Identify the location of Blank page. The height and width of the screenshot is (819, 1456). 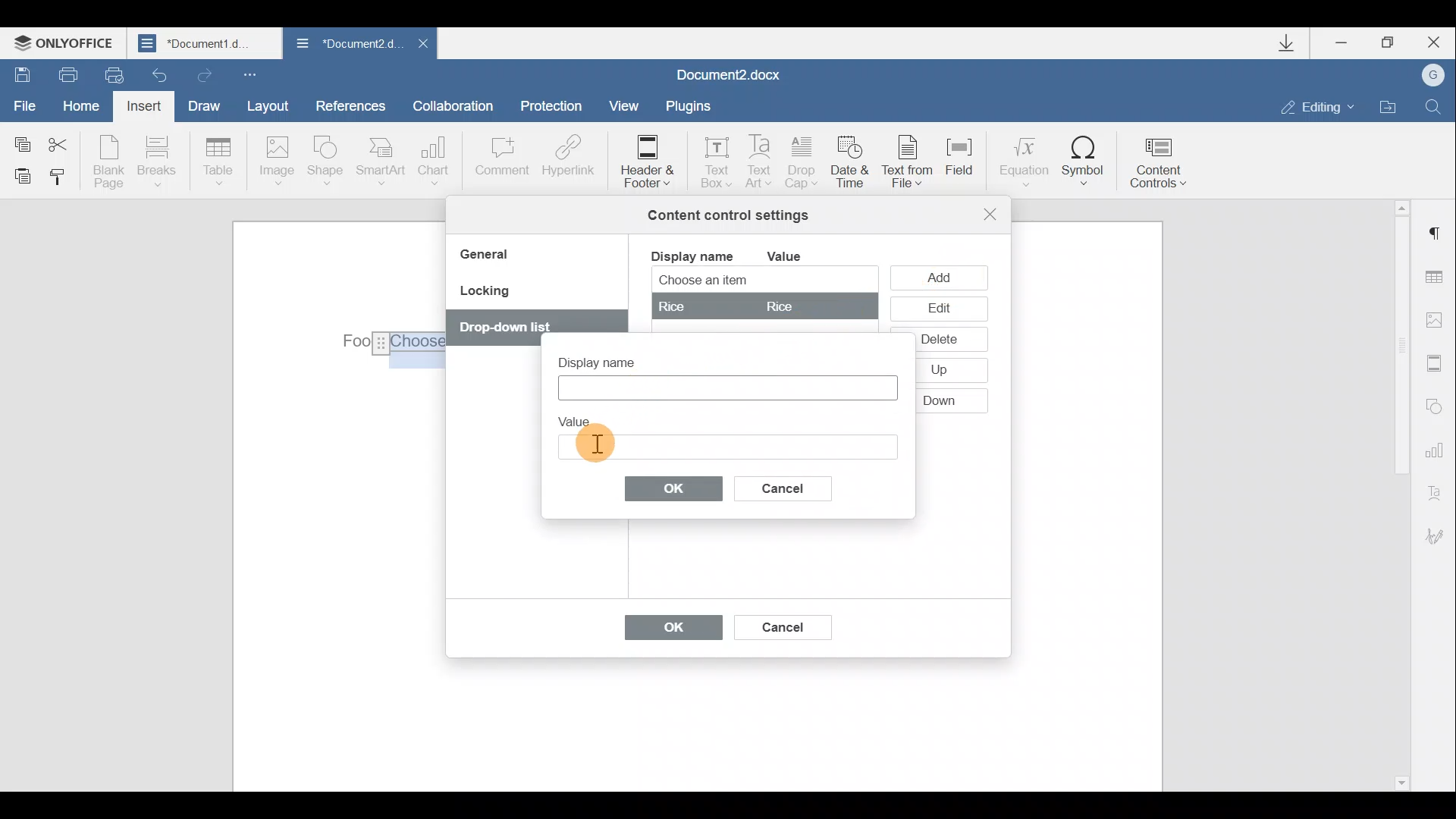
(108, 162).